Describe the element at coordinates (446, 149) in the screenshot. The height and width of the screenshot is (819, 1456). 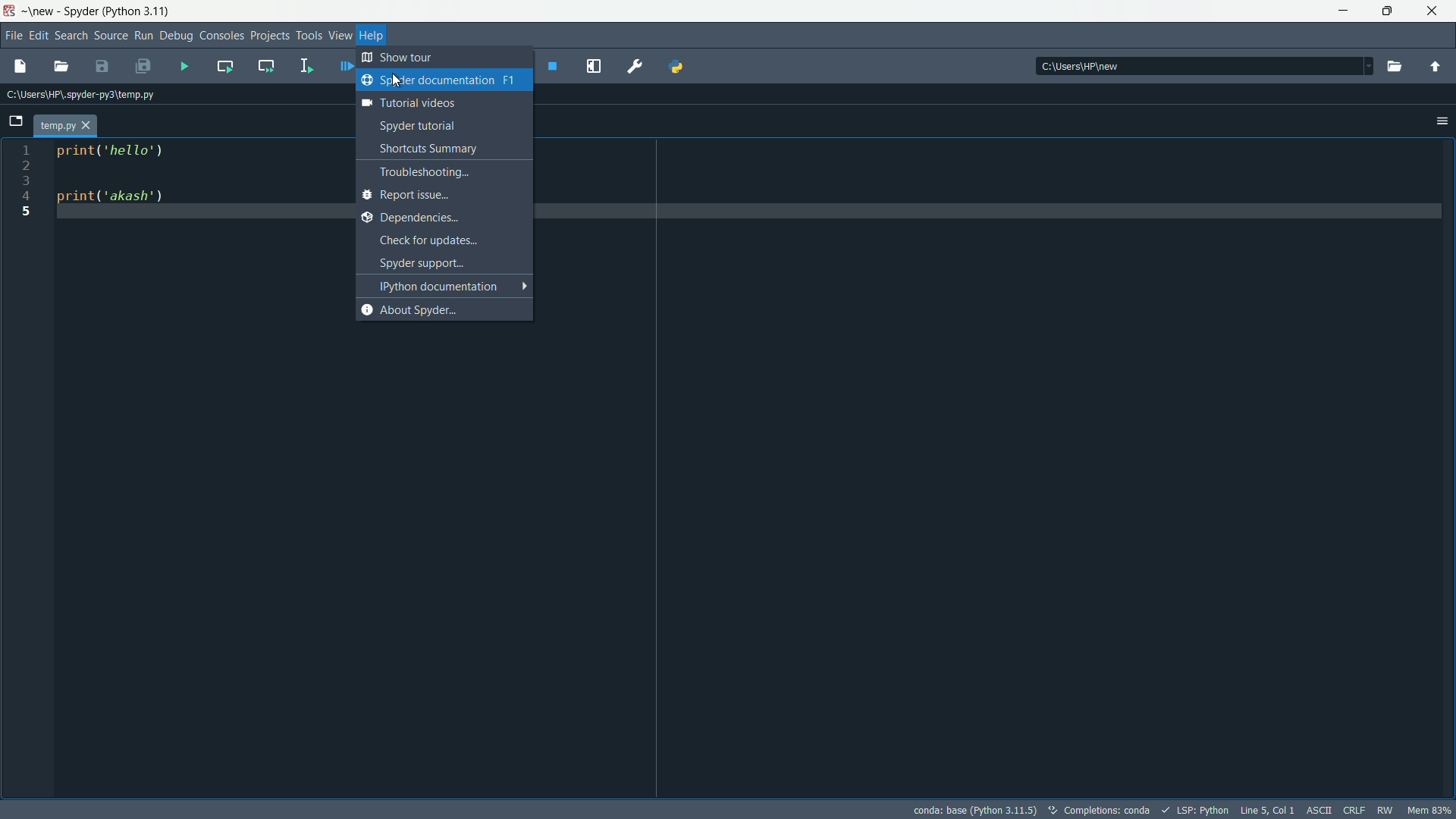
I see `shortcuts summary` at that location.